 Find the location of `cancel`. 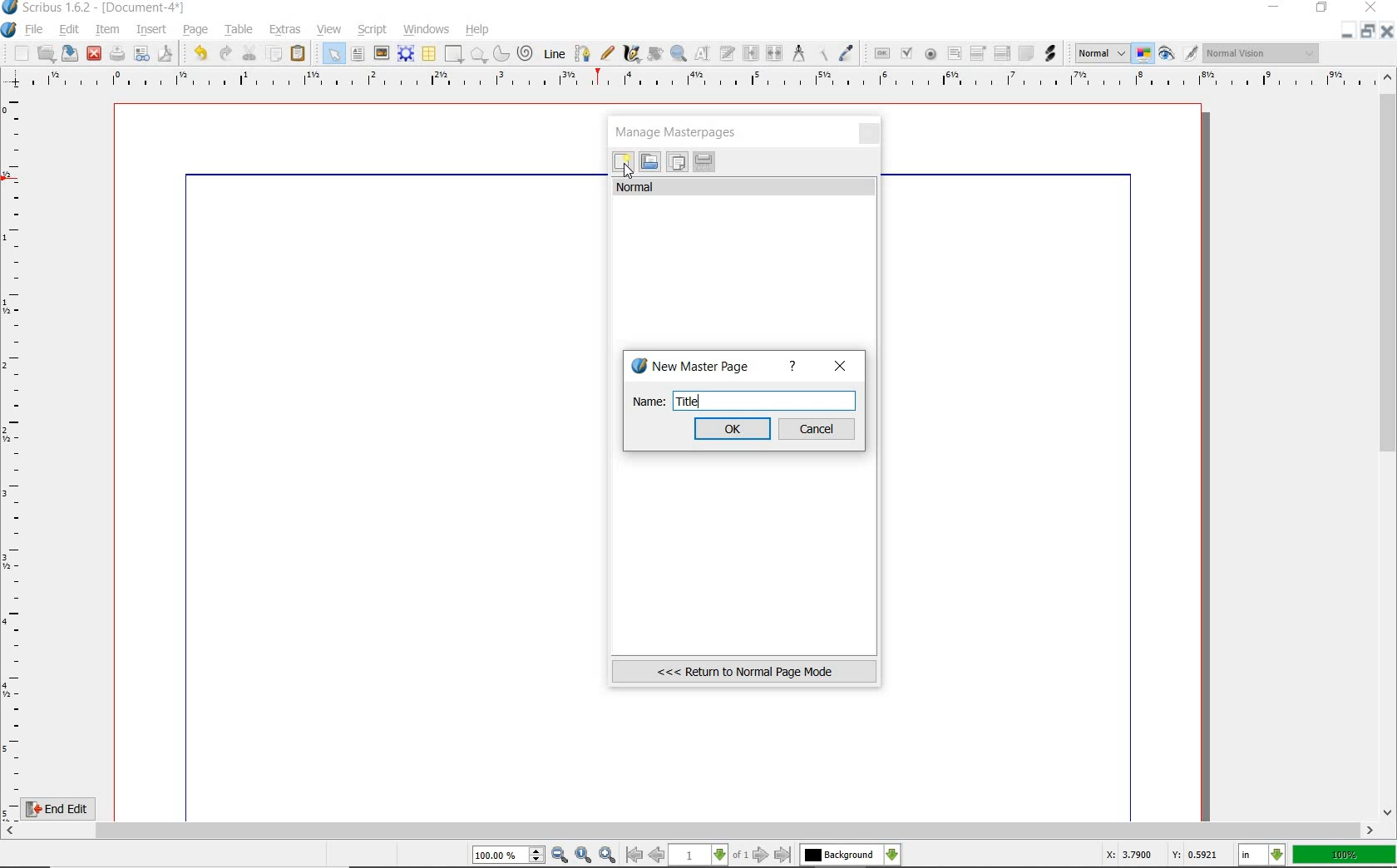

cancel is located at coordinates (818, 429).